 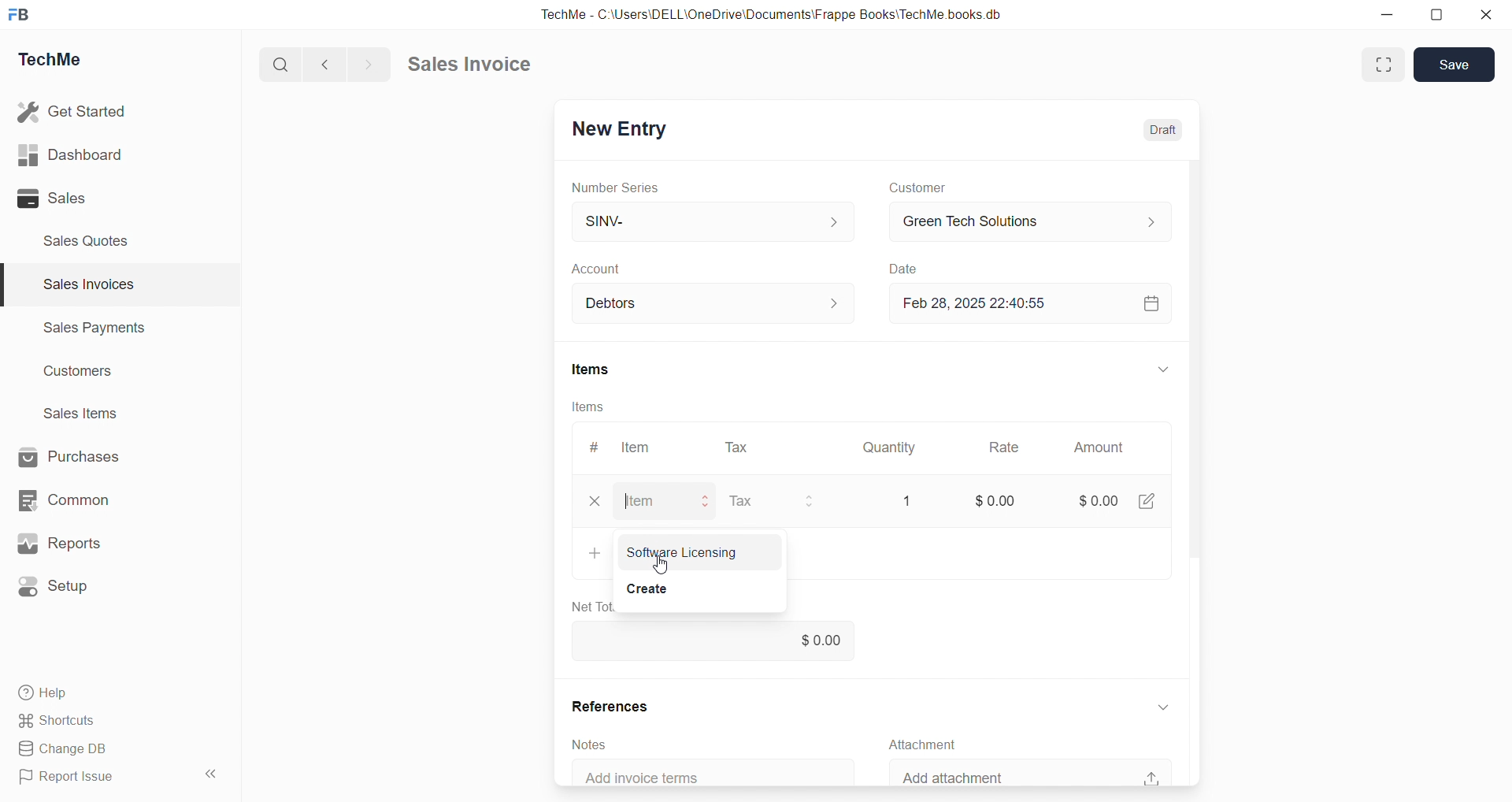 I want to click on Account, so click(x=604, y=269).